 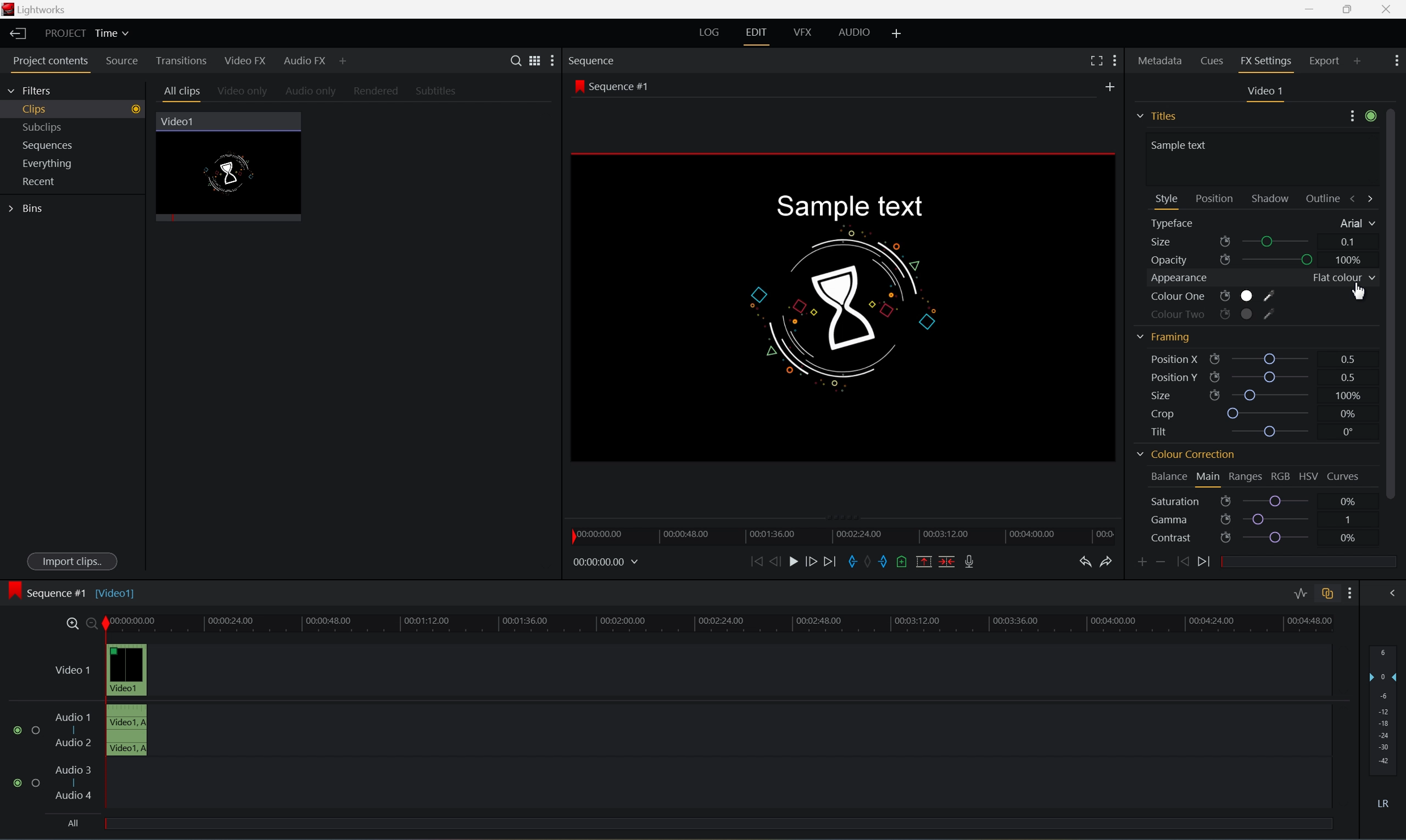 I want to click on move backward, so click(x=757, y=562).